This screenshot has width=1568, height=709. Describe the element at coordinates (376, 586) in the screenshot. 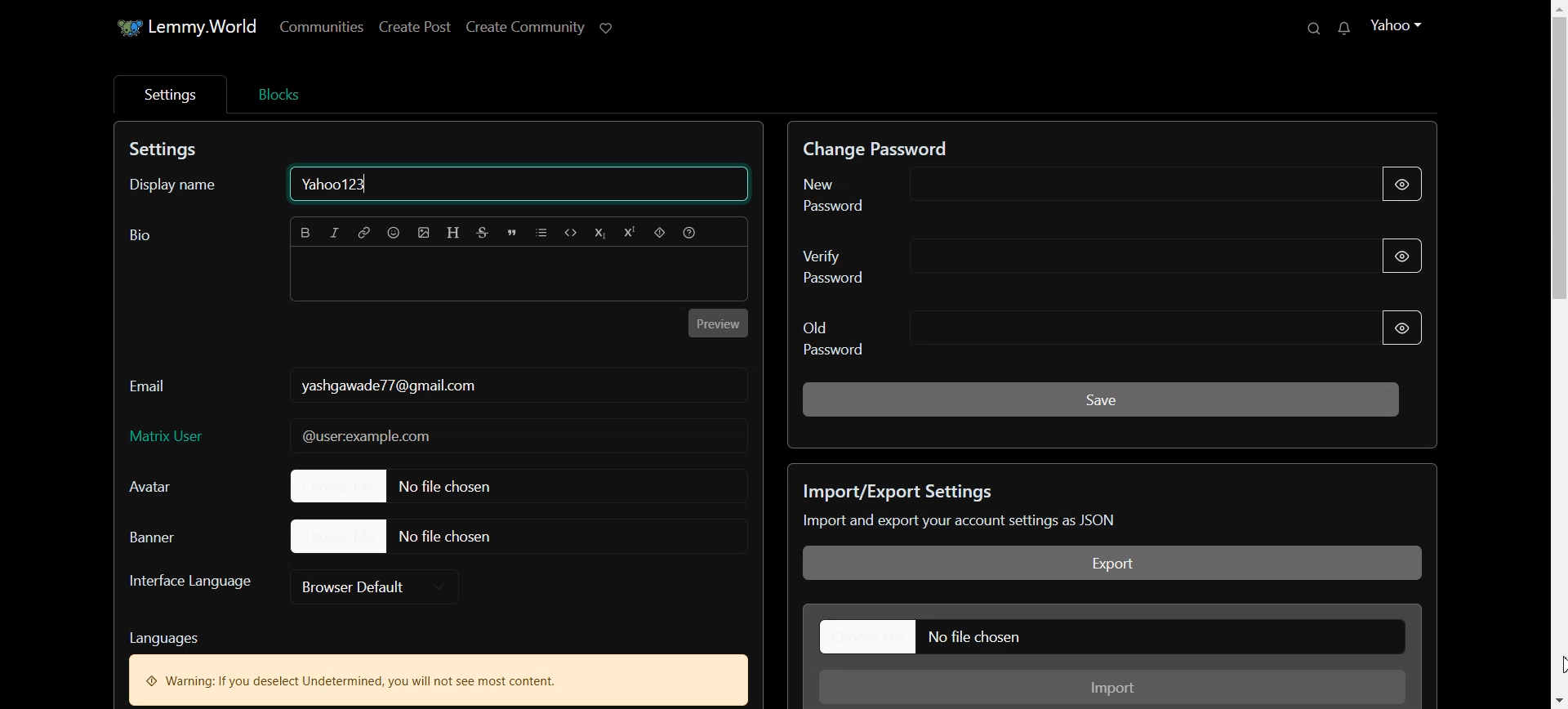

I see `Browser default` at that location.